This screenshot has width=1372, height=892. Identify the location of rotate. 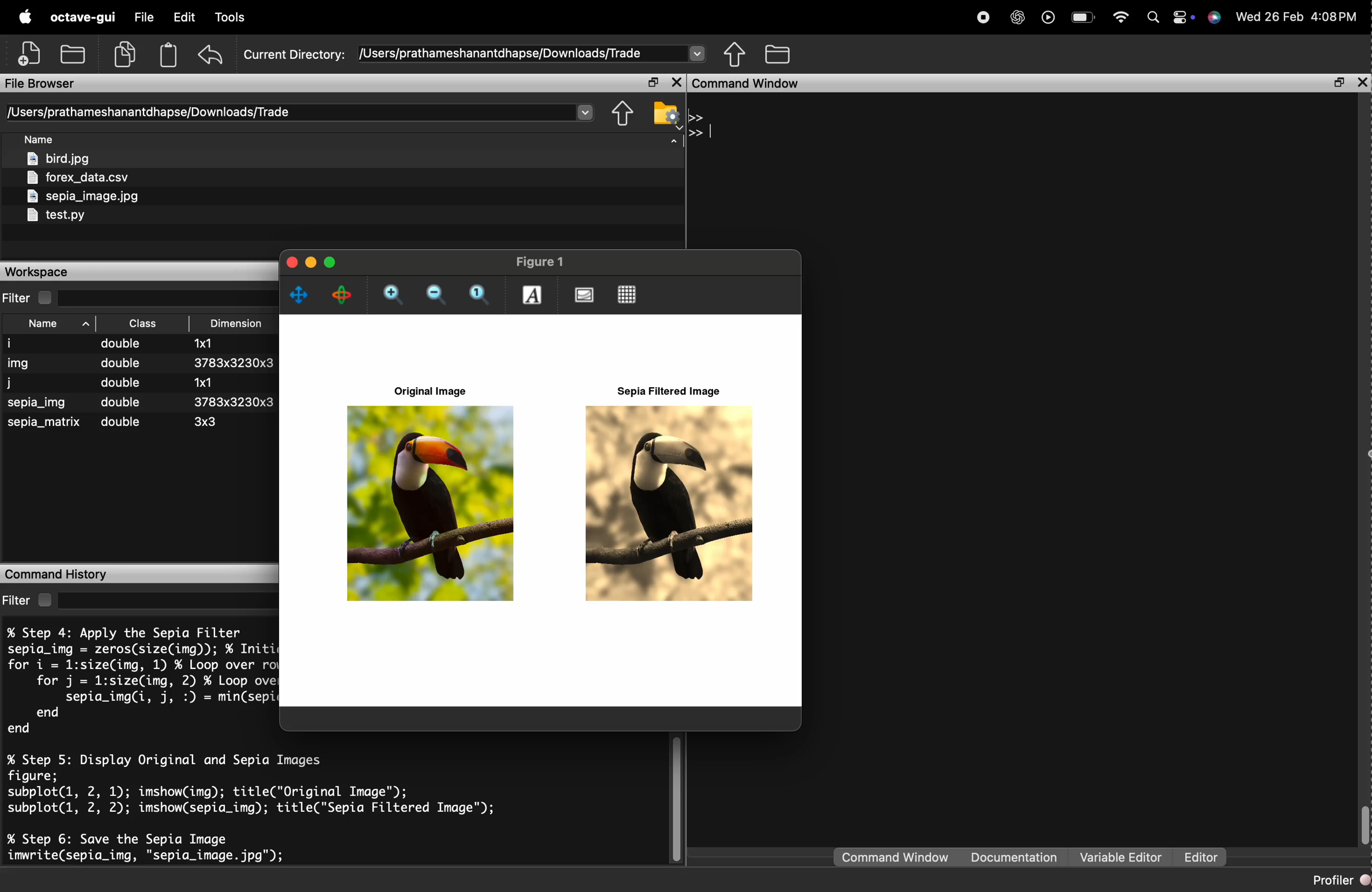
(342, 295).